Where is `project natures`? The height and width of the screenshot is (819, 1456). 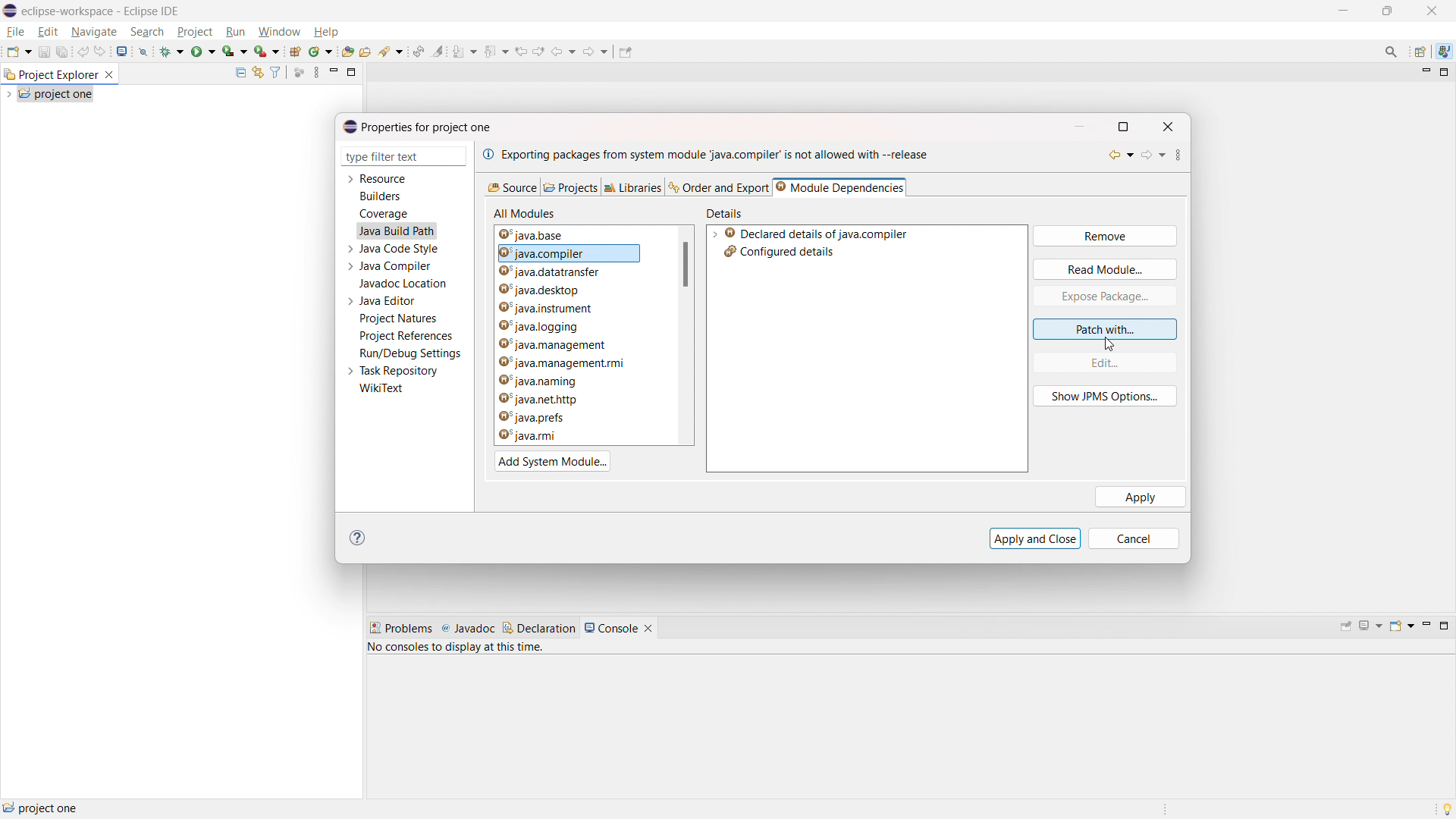
project natures is located at coordinates (399, 318).